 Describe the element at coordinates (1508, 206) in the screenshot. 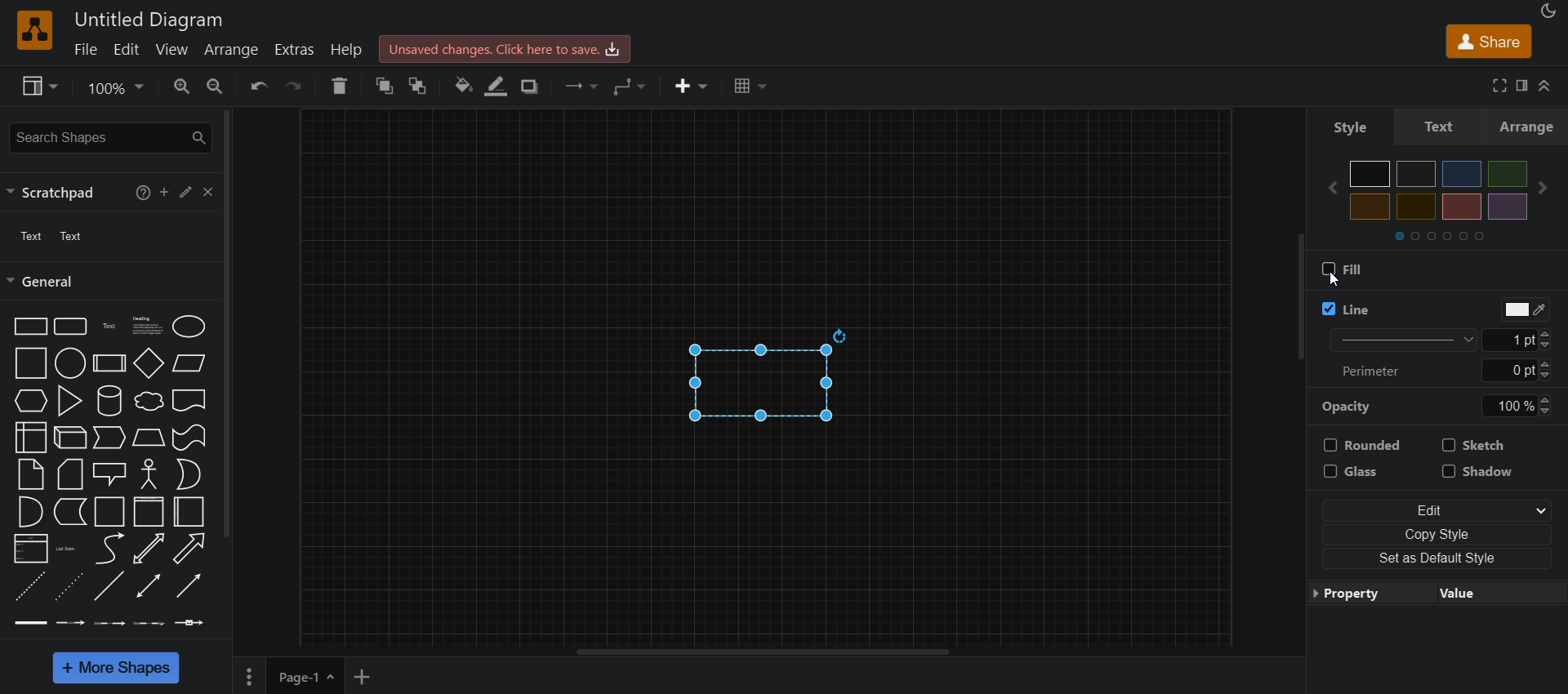

I see `violet` at that location.